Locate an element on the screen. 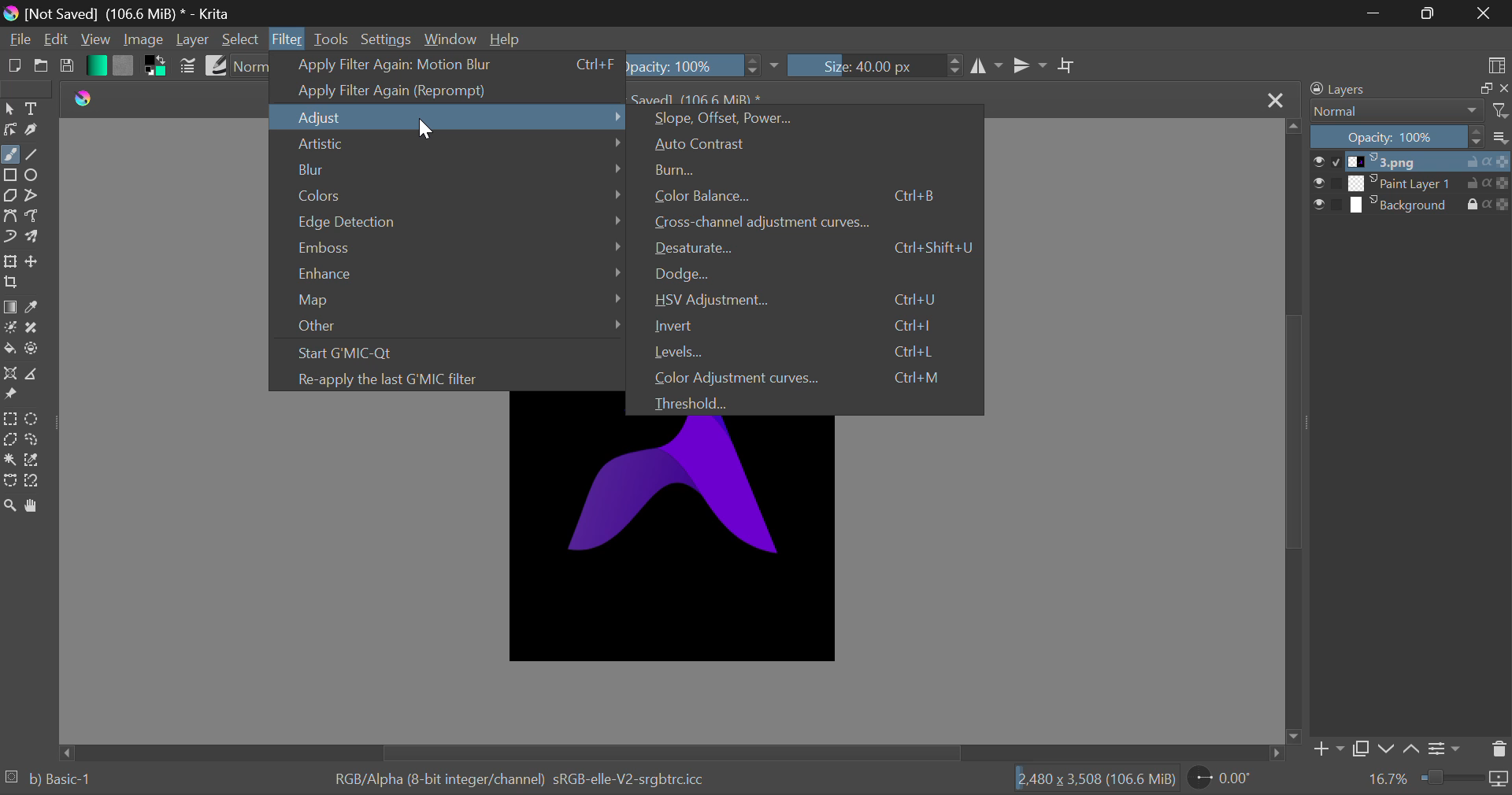 The image size is (1512, 795). Tools is located at coordinates (332, 39).